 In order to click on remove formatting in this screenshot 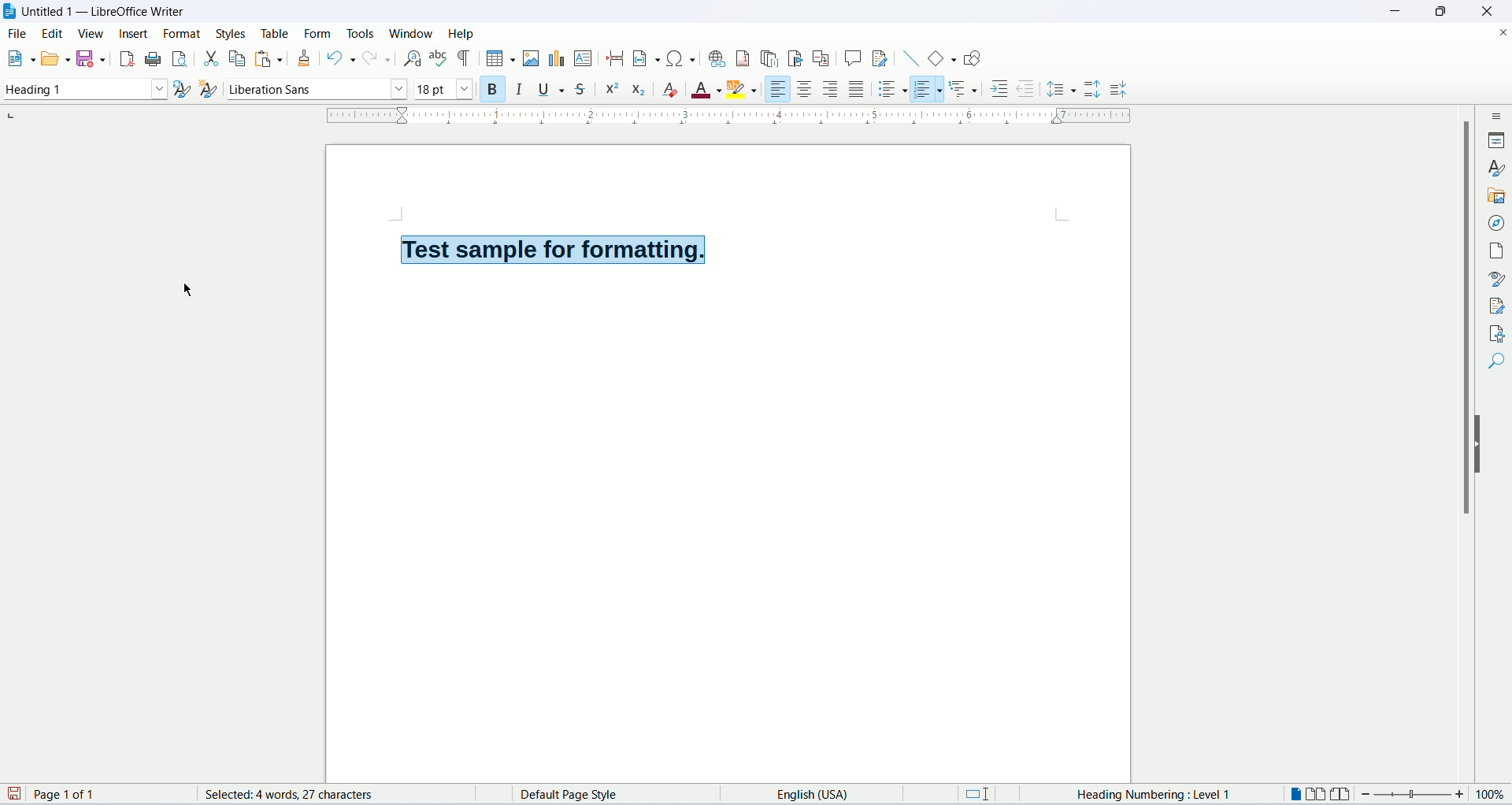, I will do `click(674, 91)`.